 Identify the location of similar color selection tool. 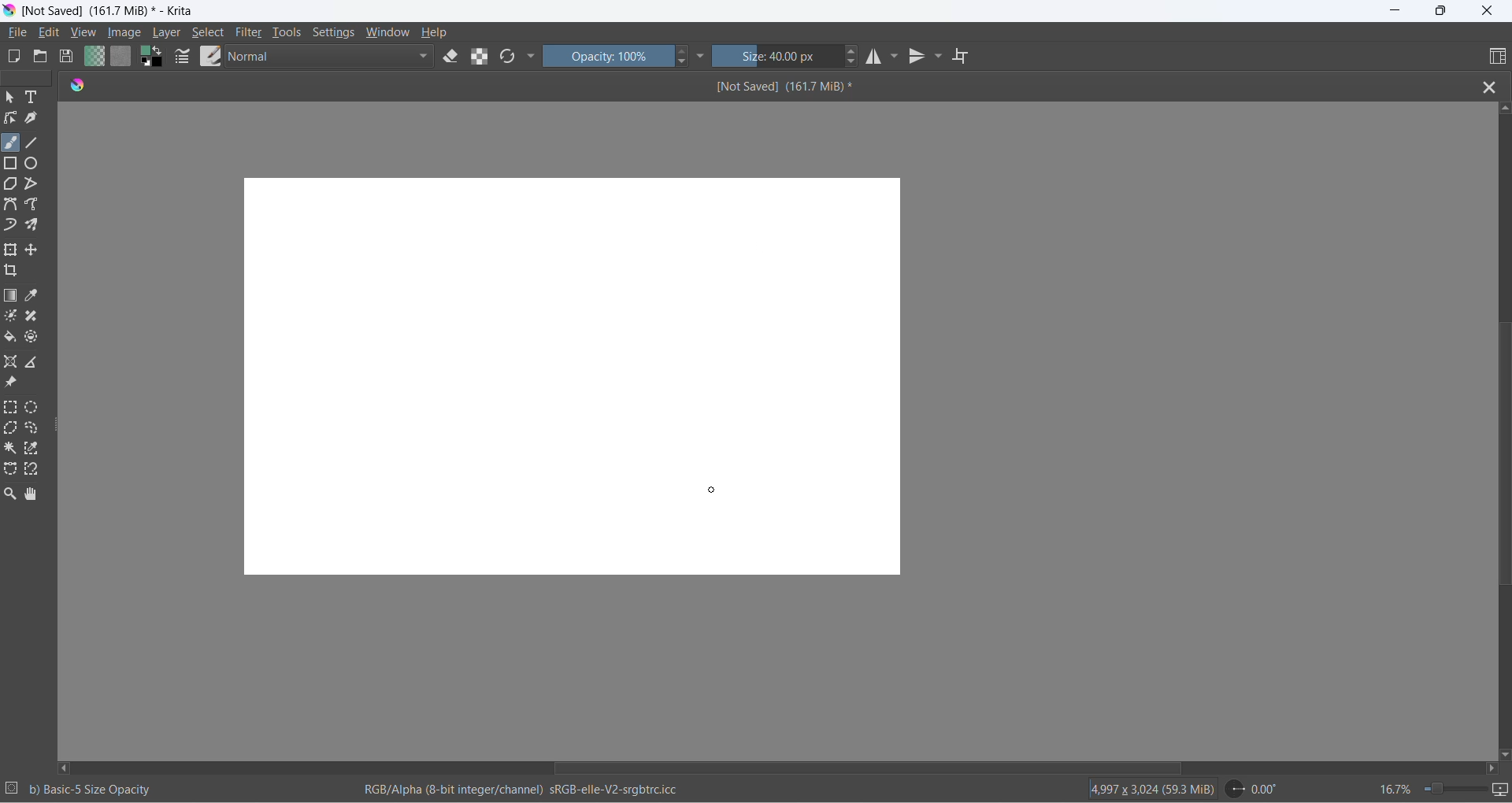
(34, 451).